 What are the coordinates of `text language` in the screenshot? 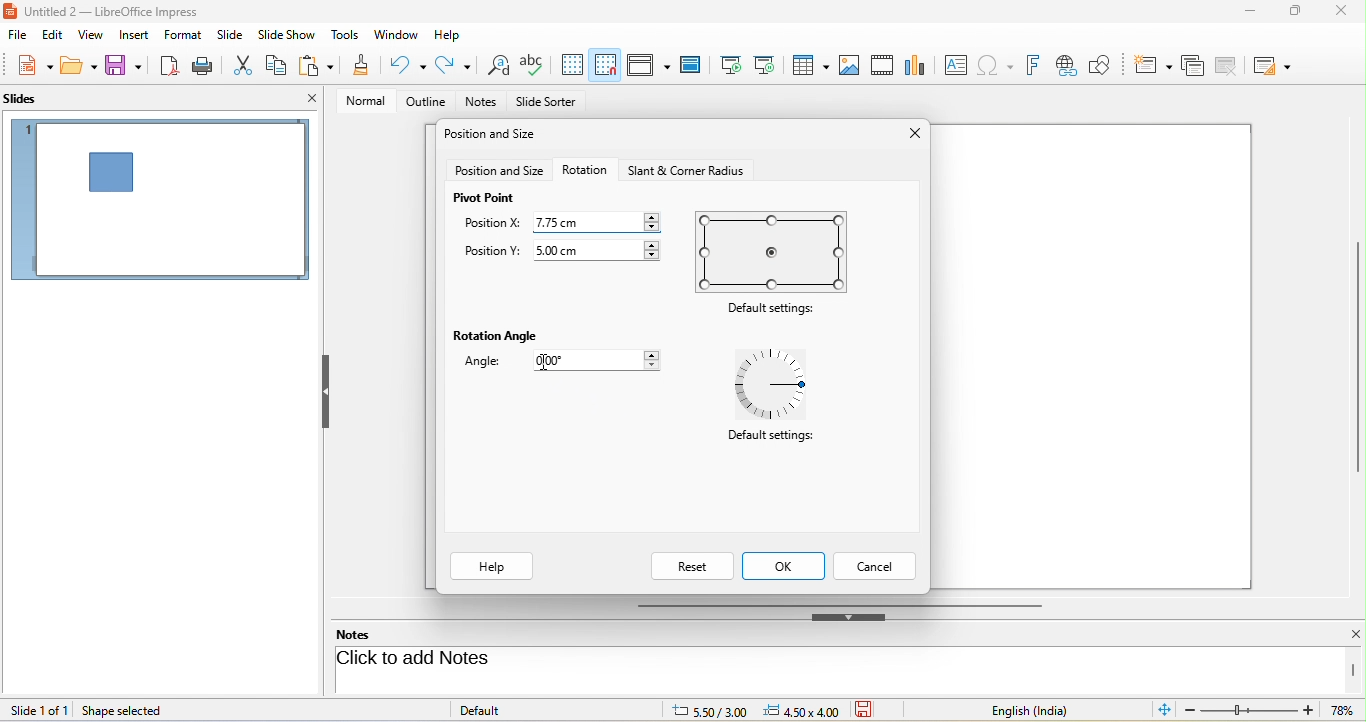 It's located at (1045, 710).